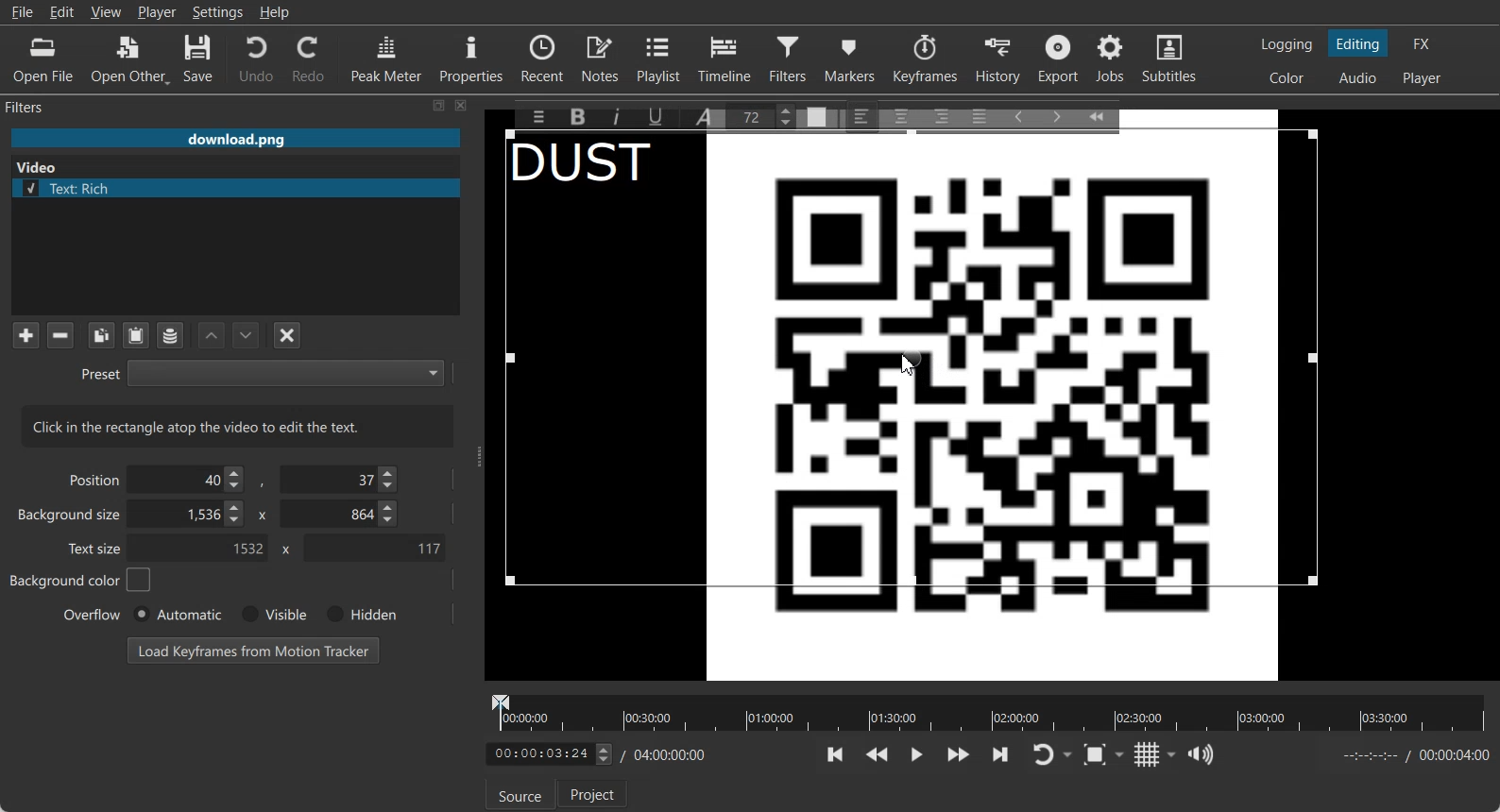 This screenshot has width=1500, height=812. I want to click on Export, so click(1061, 59).